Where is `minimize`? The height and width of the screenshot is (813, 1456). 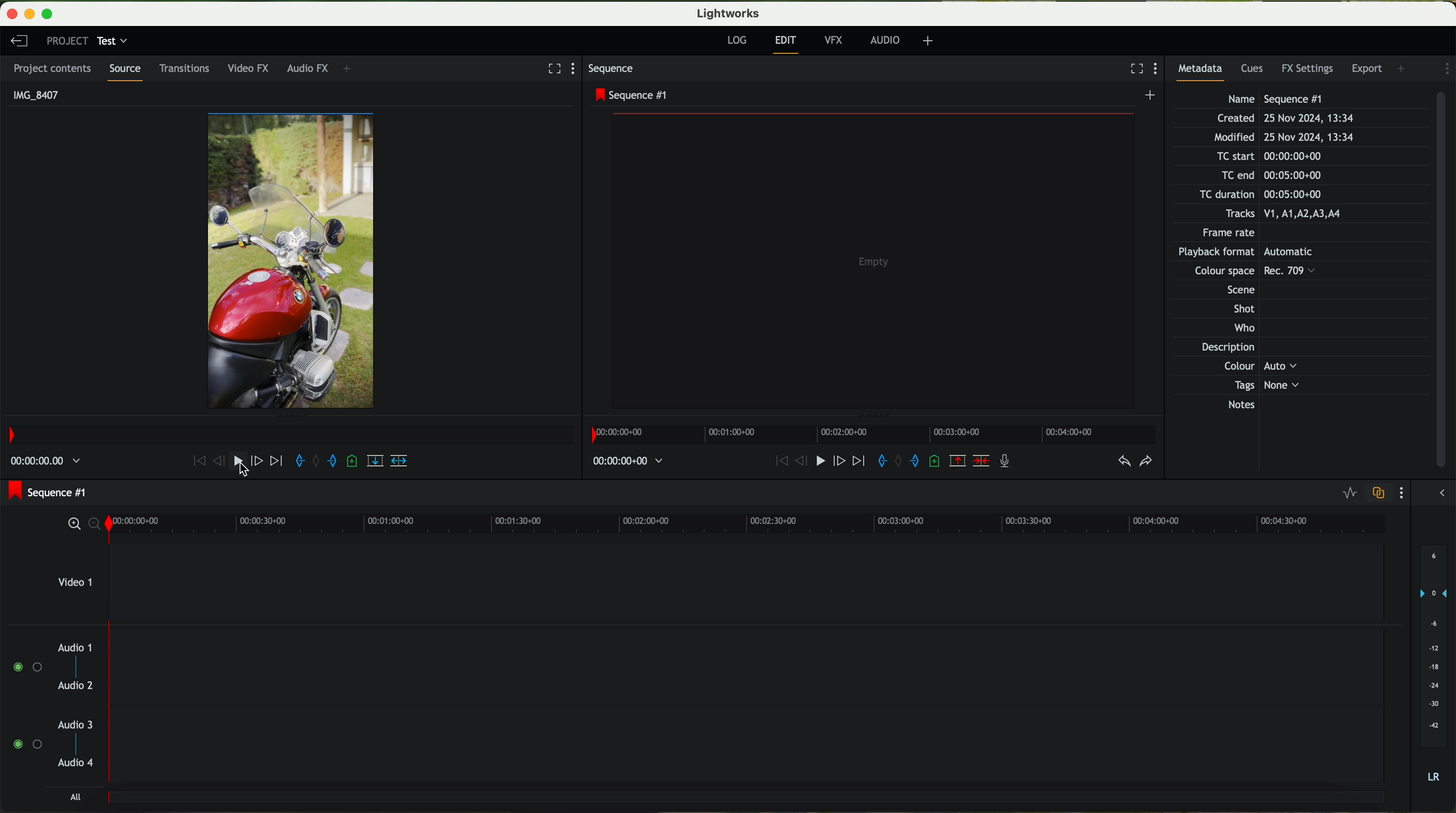
minimize is located at coordinates (32, 15).